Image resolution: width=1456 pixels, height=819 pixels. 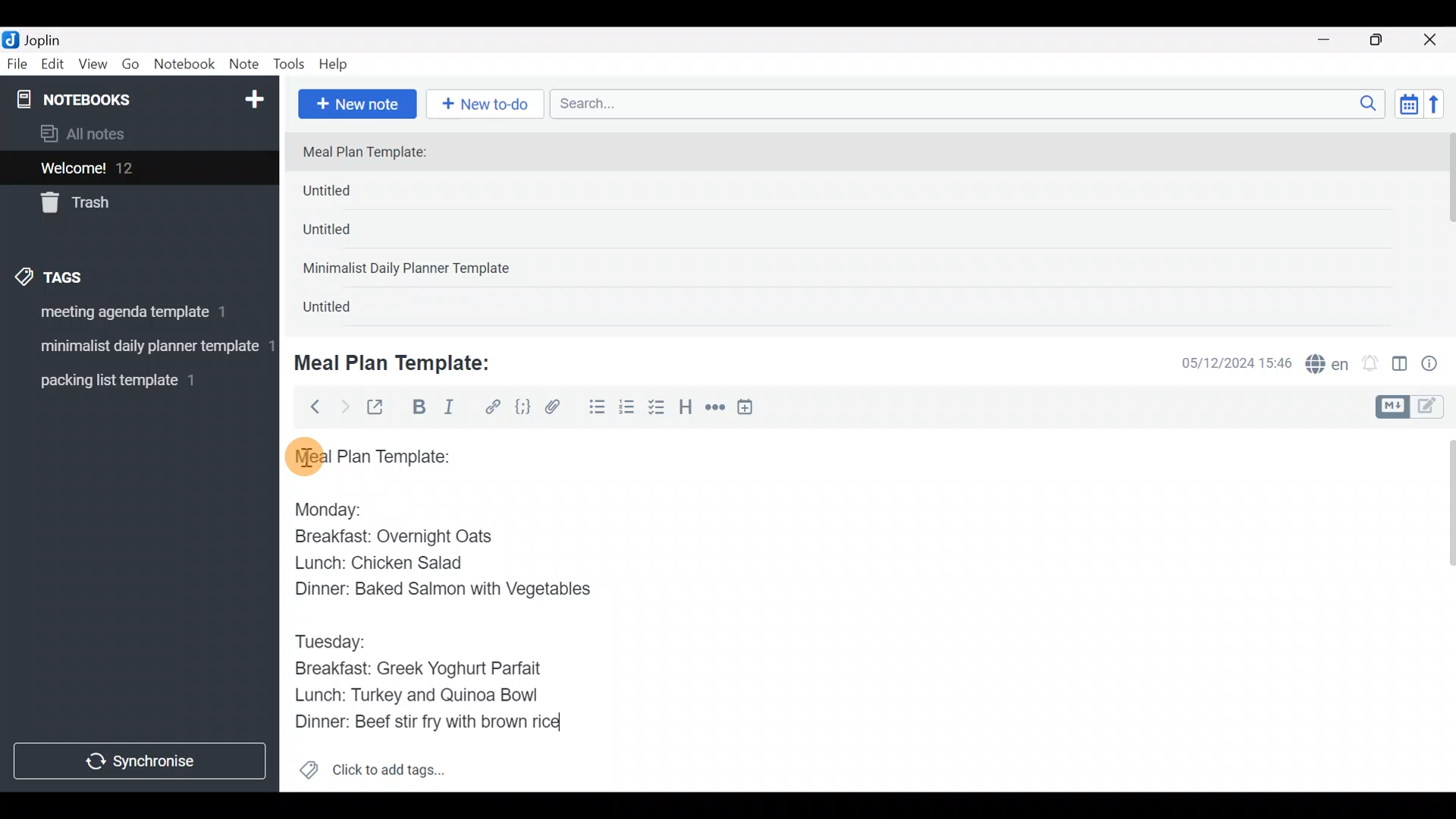 What do you see at coordinates (1371, 365) in the screenshot?
I see `Set alarm` at bounding box center [1371, 365].